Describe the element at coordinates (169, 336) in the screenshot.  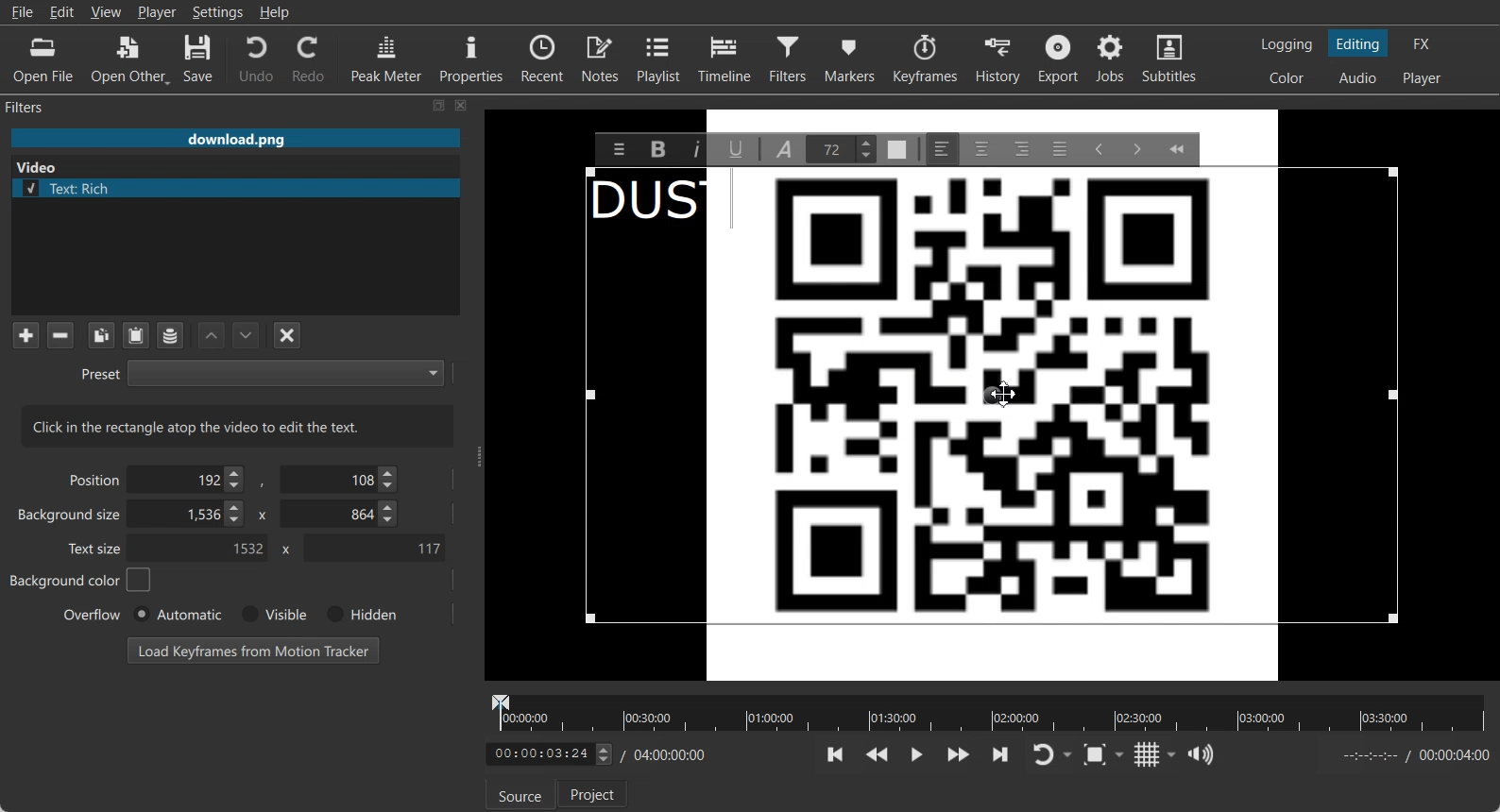
I see `Save a filter set` at that location.